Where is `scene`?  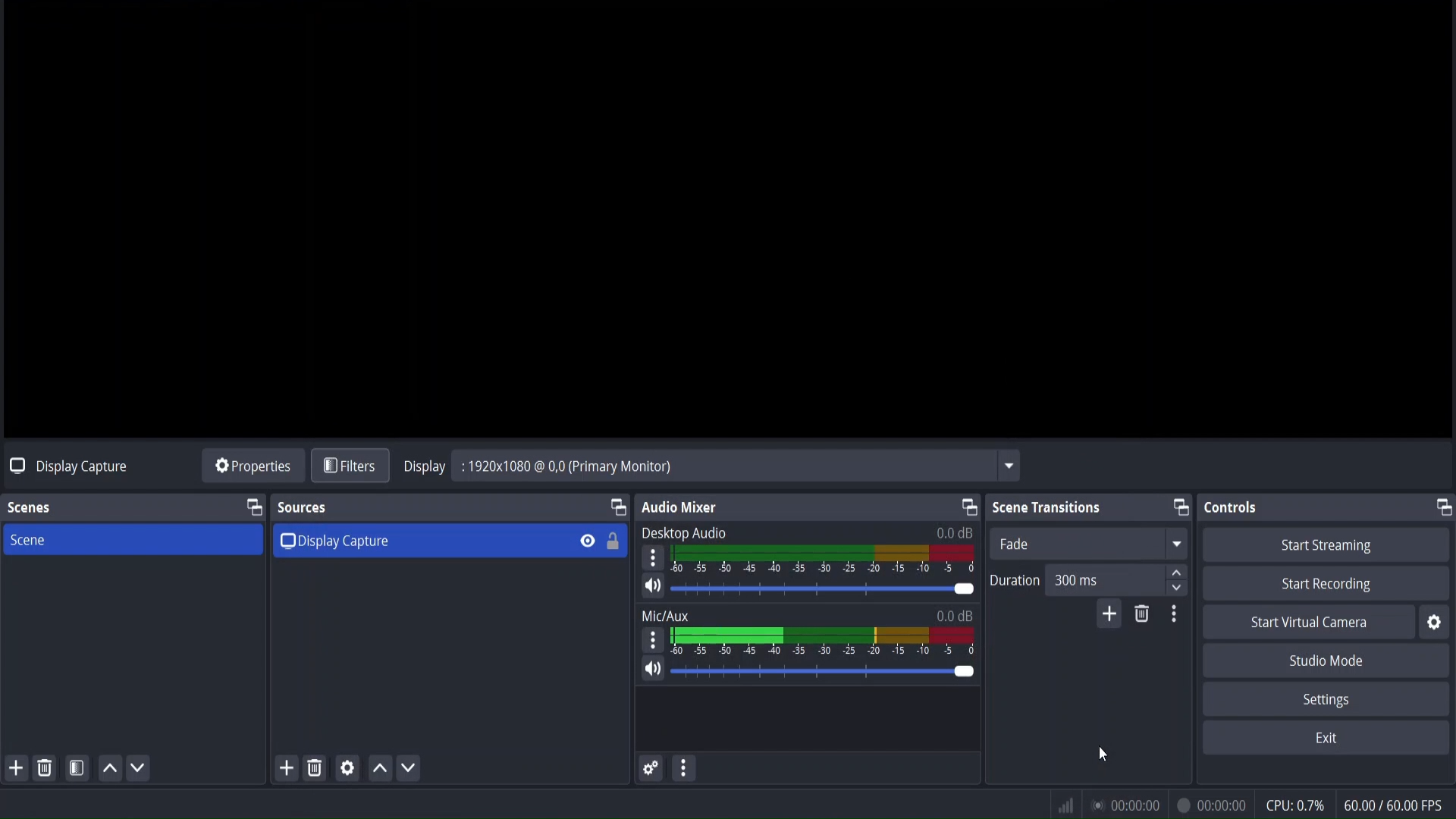
scene is located at coordinates (28, 541).